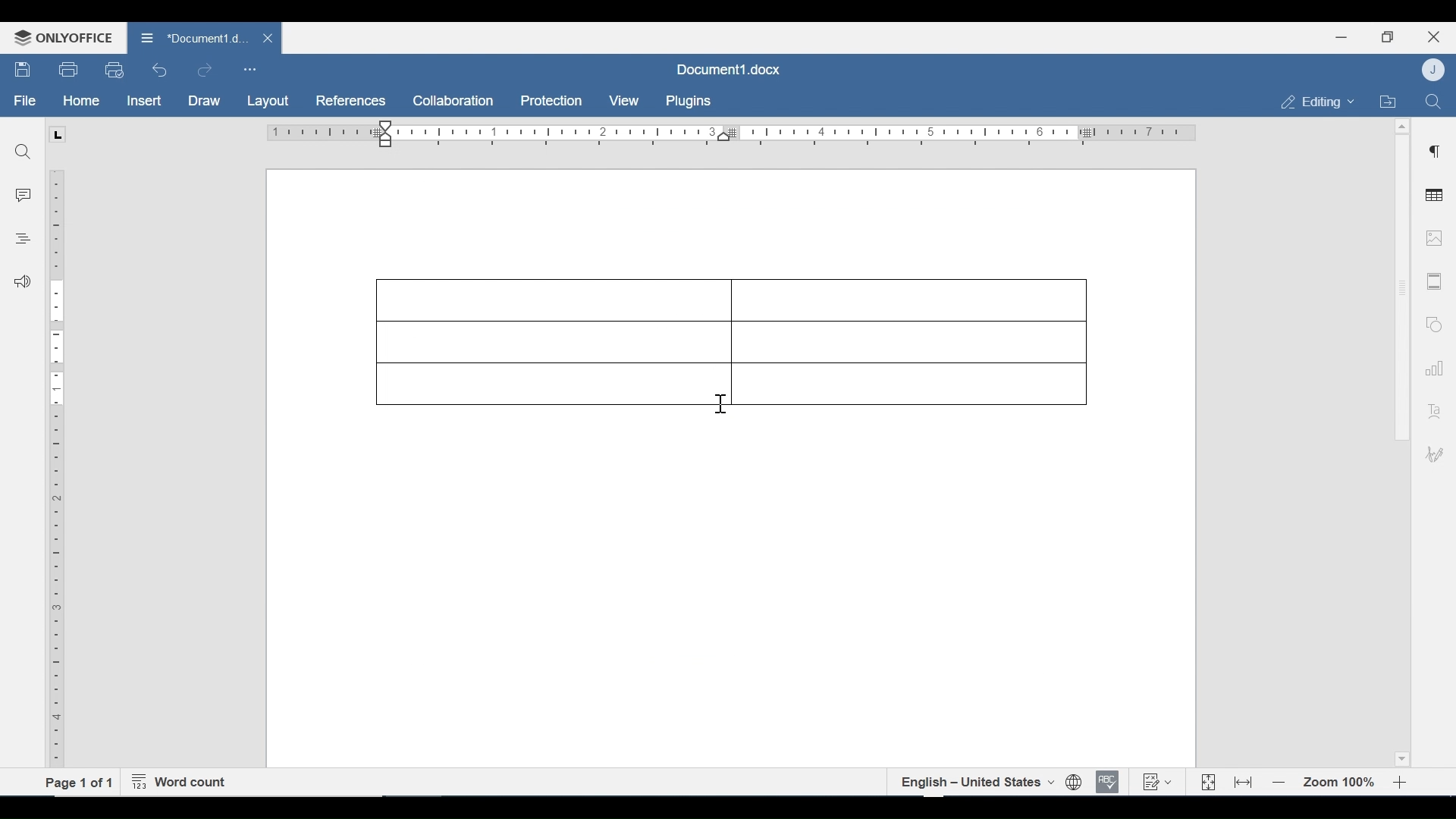 The image size is (1456, 819). I want to click on User, so click(1435, 69).